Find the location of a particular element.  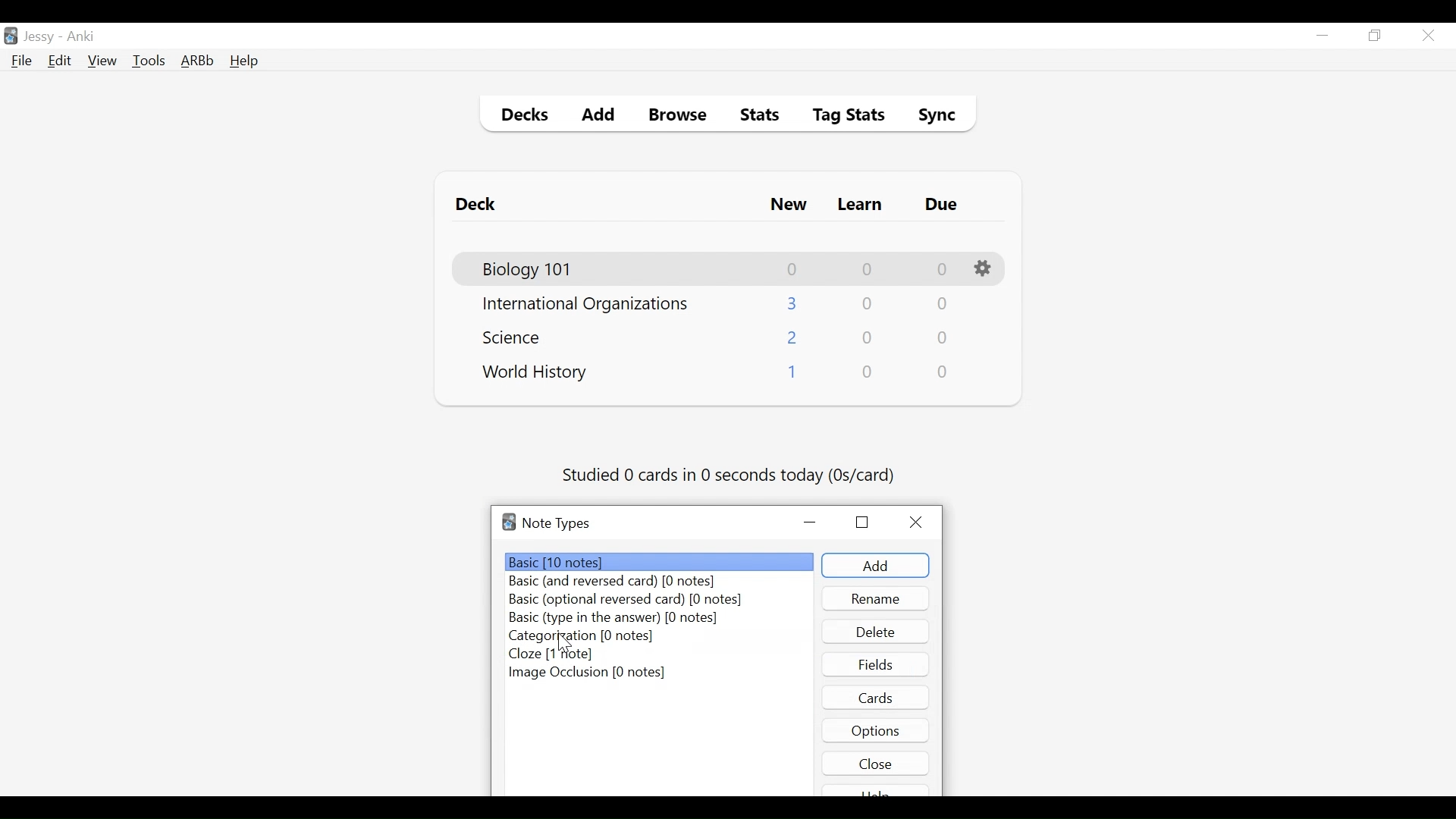

Basic (optional reversed card) (number of notes) is located at coordinates (625, 601).